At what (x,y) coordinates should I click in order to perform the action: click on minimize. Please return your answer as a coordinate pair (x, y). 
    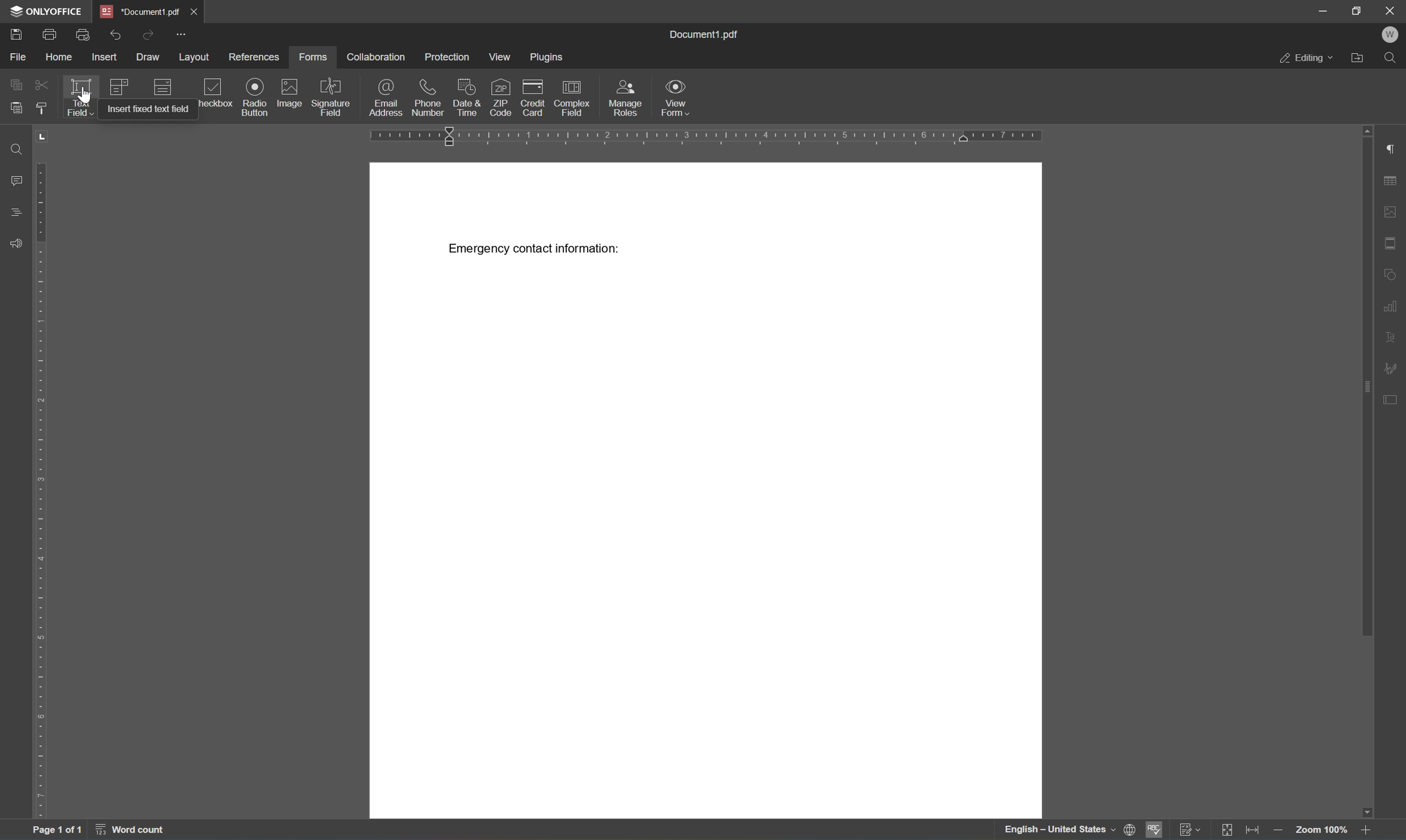
    Looking at the image, I should click on (1318, 10).